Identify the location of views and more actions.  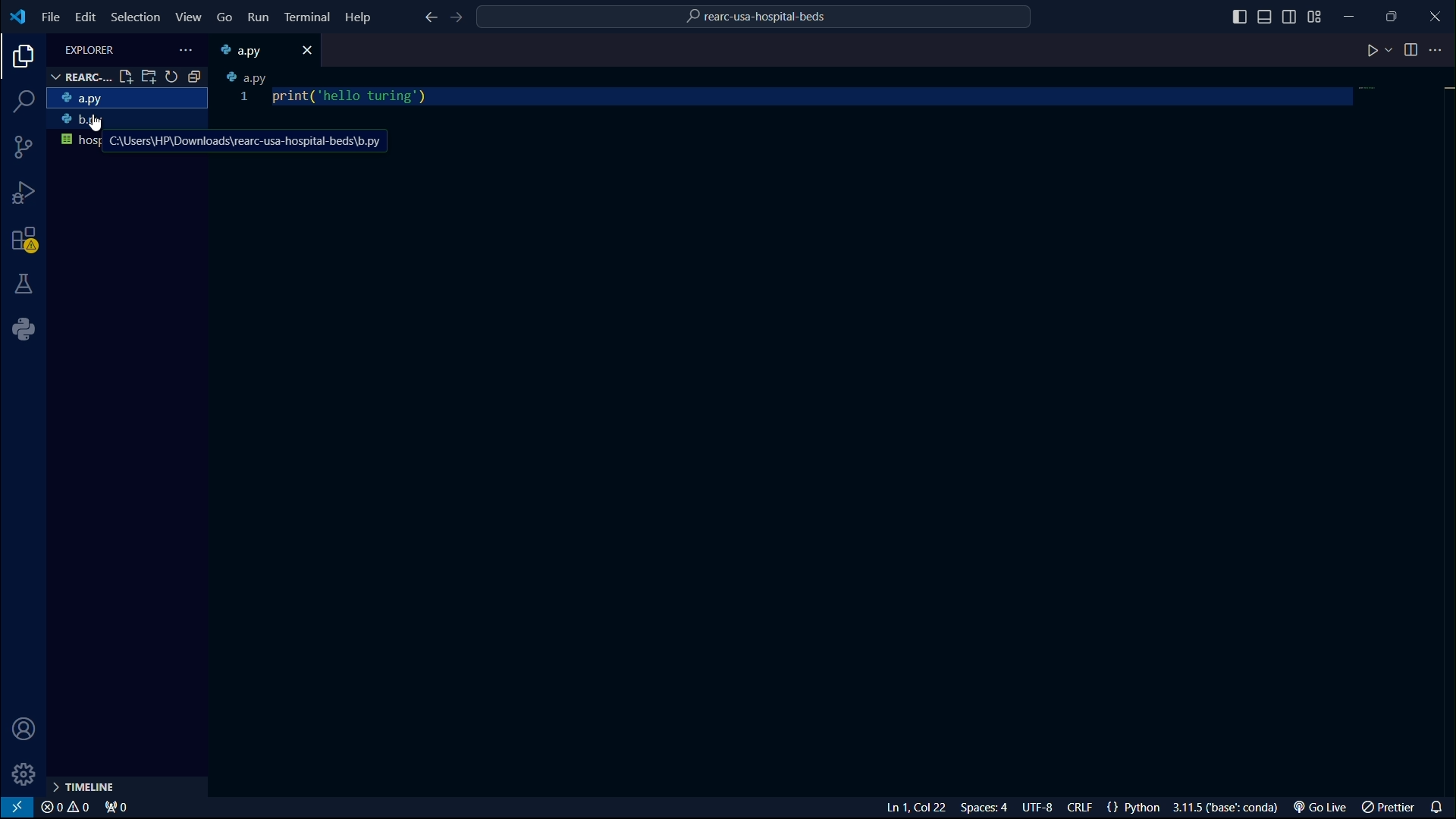
(184, 48).